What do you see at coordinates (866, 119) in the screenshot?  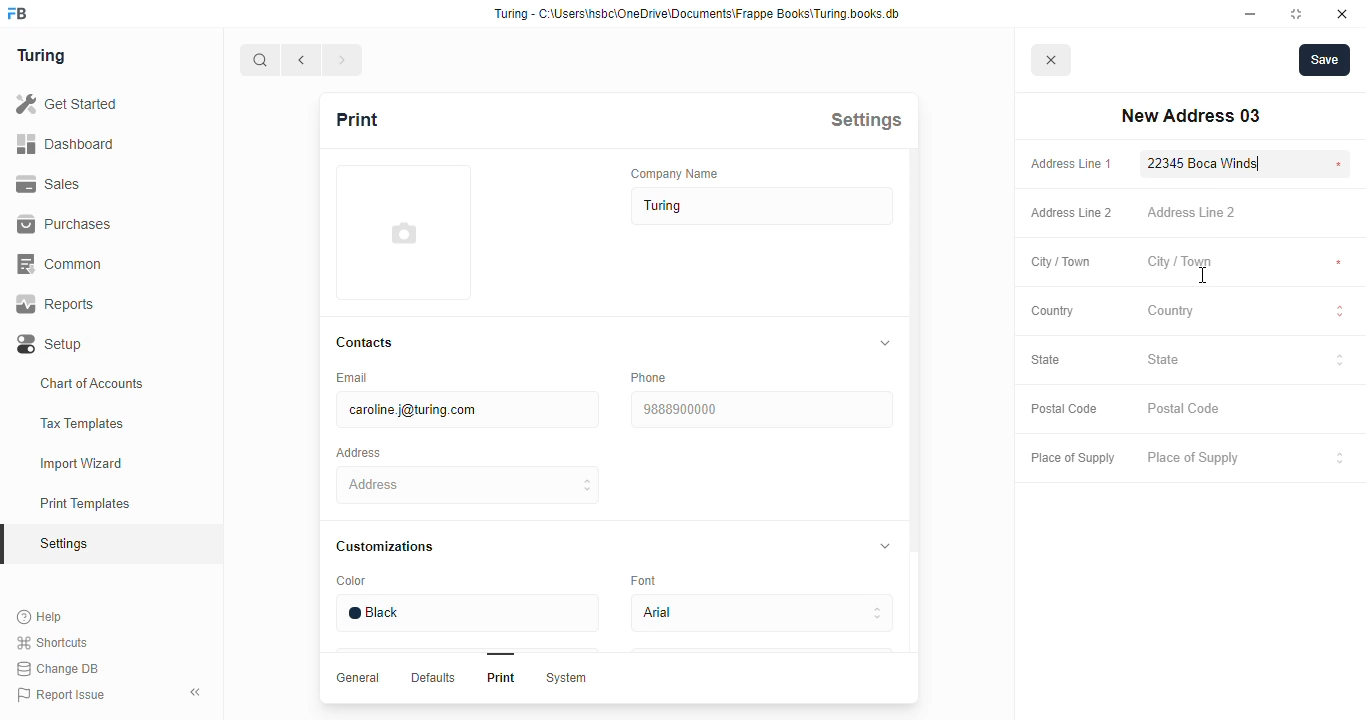 I see `settings` at bounding box center [866, 119].